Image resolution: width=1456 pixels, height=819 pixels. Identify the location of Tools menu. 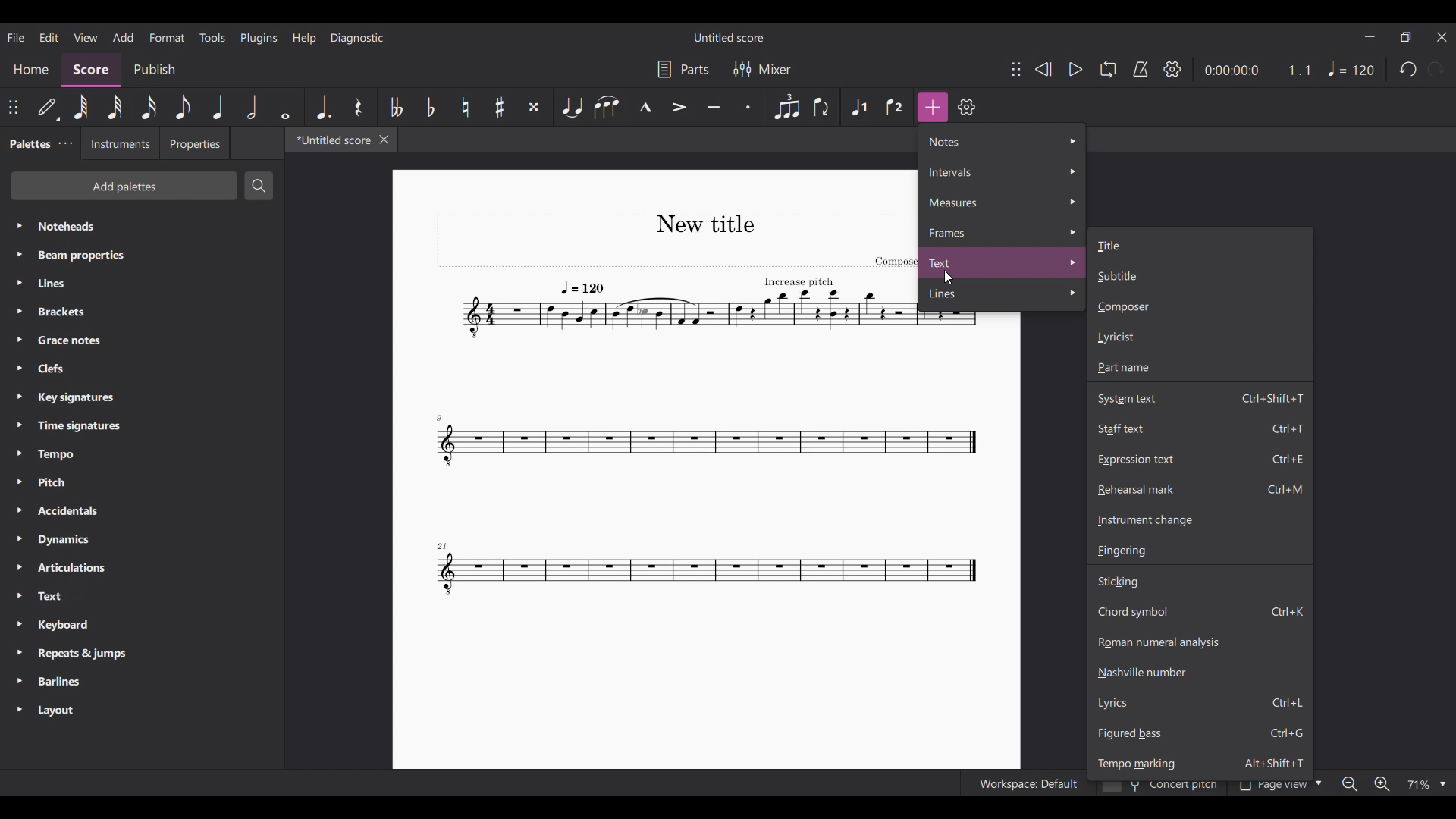
(212, 37).